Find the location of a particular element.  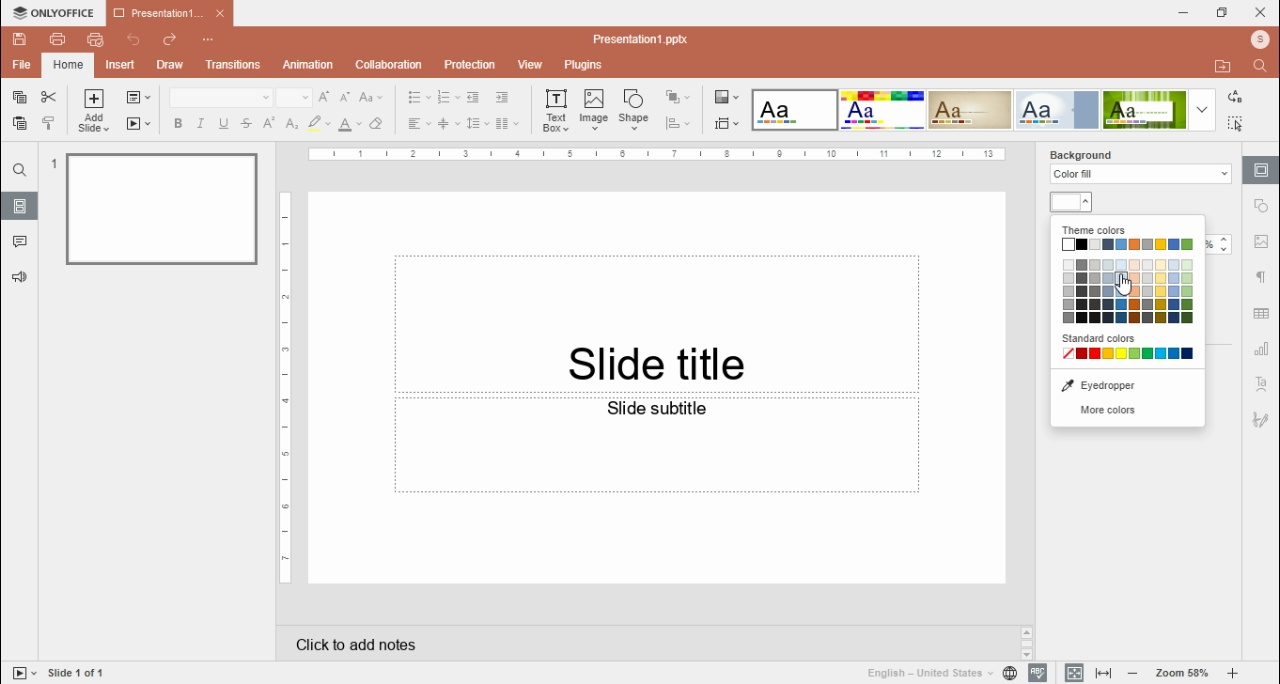

clear style is located at coordinates (376, 124).